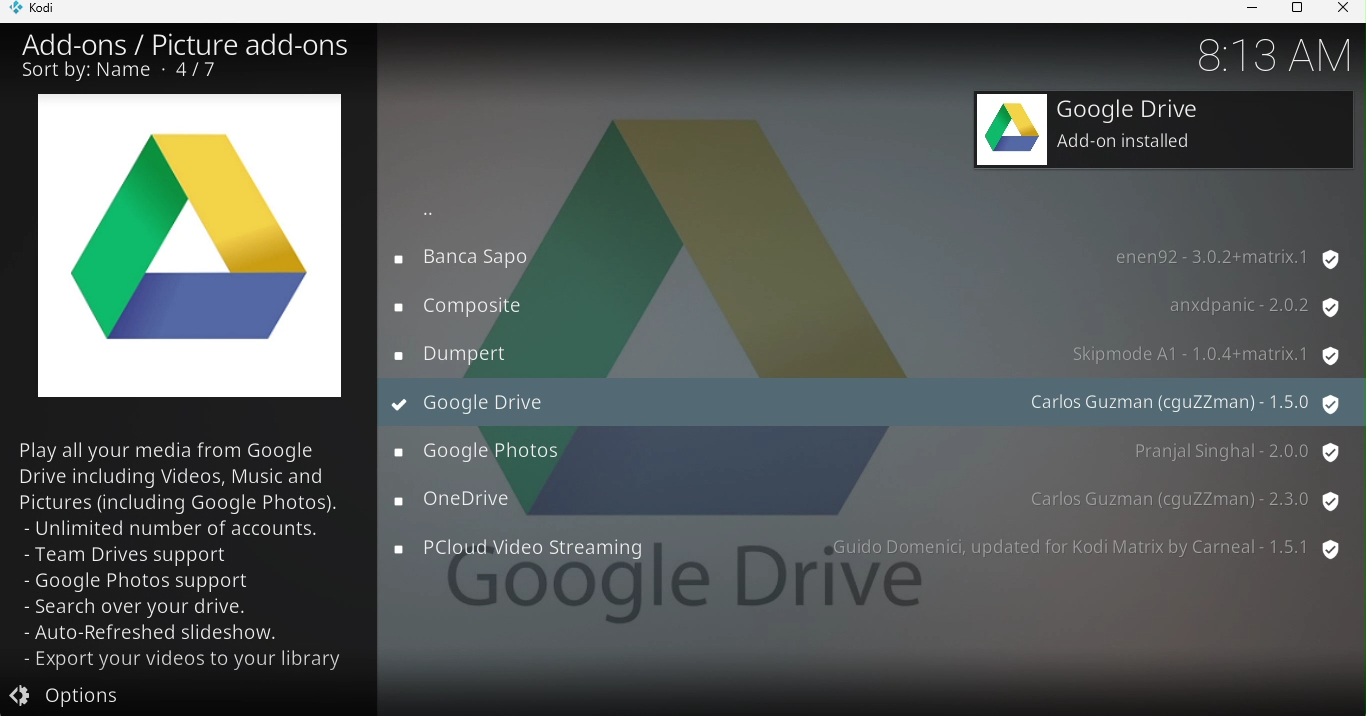 This screenshot has height=716, width=1366. What do you see at coordinates (1342, 11) in the screenshot?
I see `Close` at bounding box center [1342, 11].